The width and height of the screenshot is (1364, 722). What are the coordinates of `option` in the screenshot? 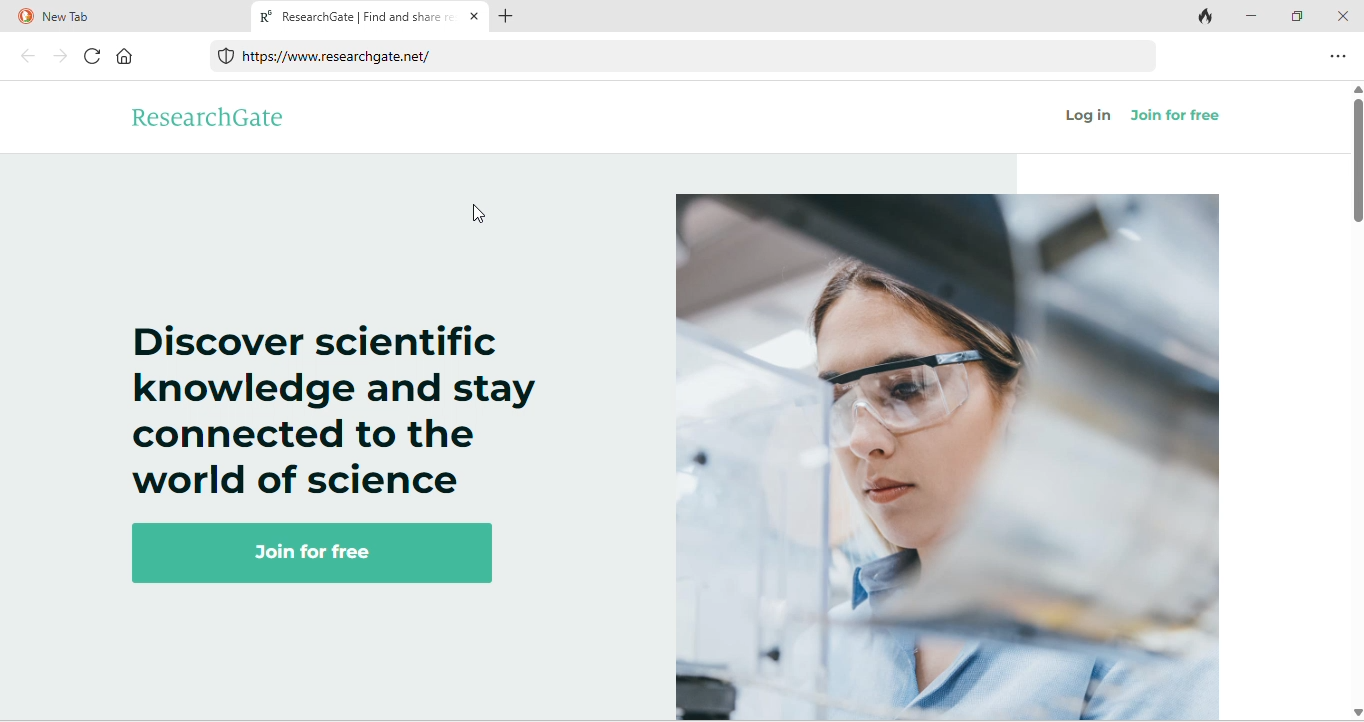 It's located at (1340, 55).